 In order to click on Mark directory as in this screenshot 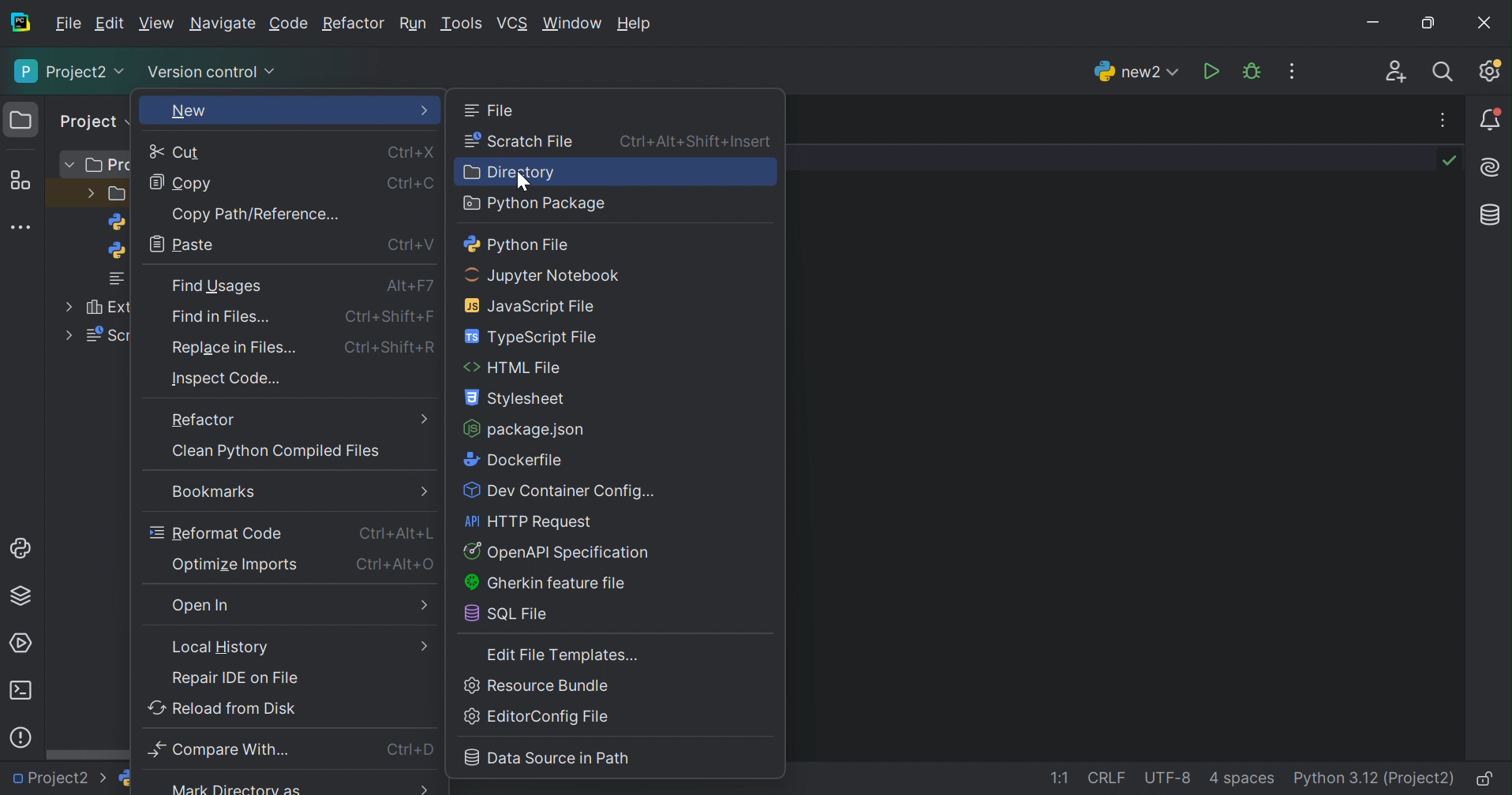, I will do `click(241, 789)`.